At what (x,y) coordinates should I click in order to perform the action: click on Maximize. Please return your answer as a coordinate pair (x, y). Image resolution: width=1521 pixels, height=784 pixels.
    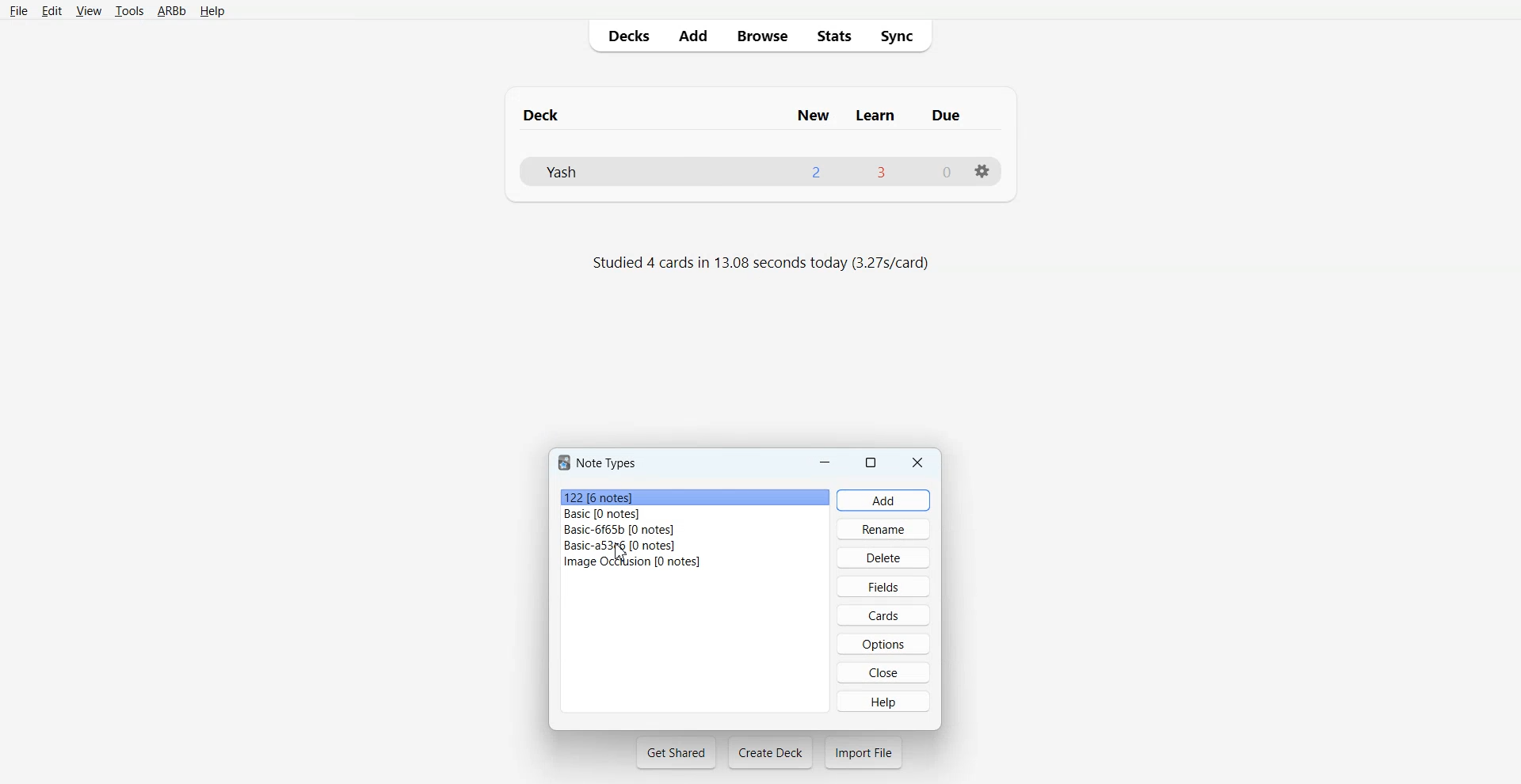
    Looking at the image, I should click on (873, 462).